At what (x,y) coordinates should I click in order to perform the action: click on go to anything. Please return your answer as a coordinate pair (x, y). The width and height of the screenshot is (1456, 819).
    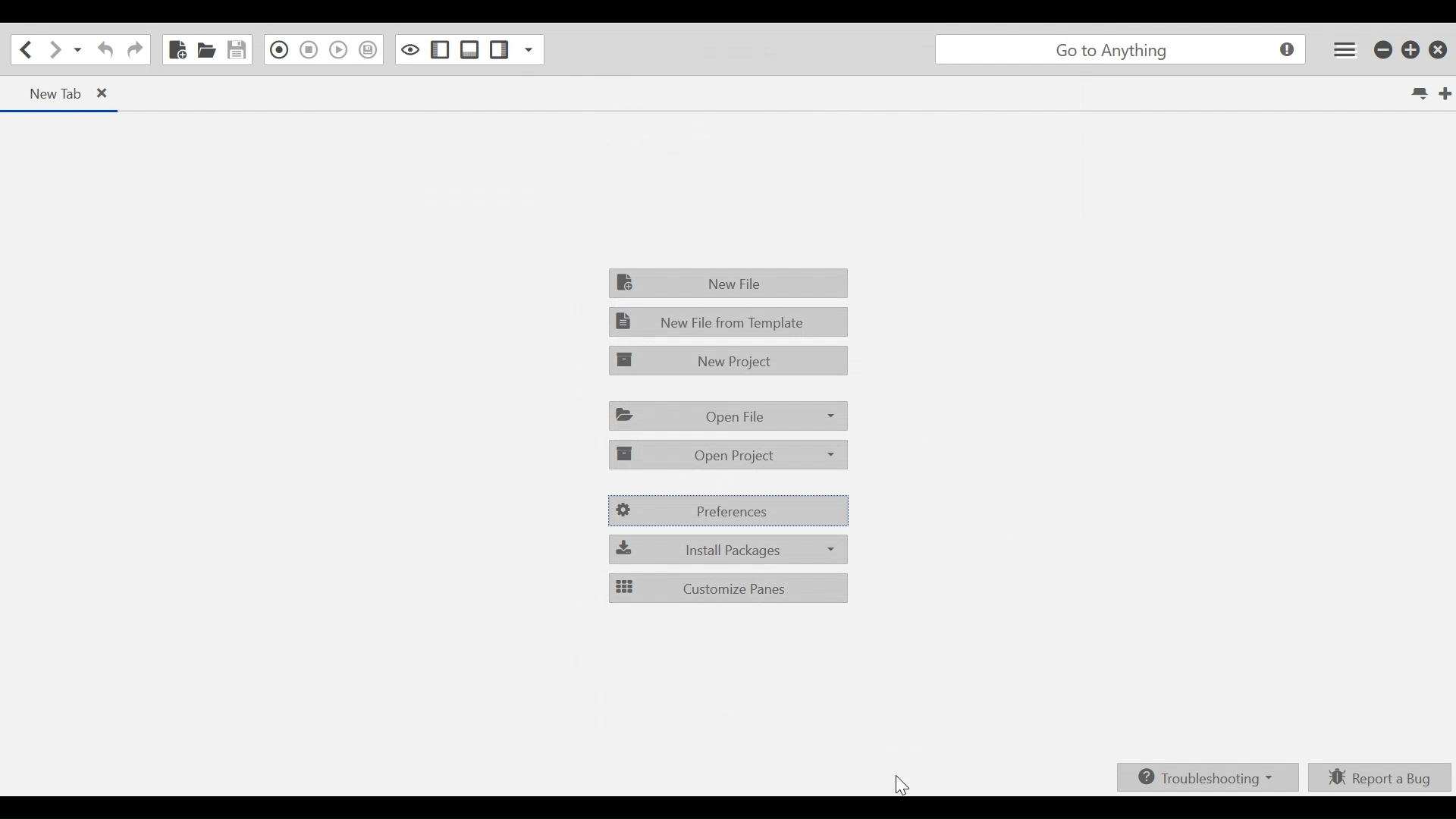
    Looking at the image, I should click on (1120, 50).